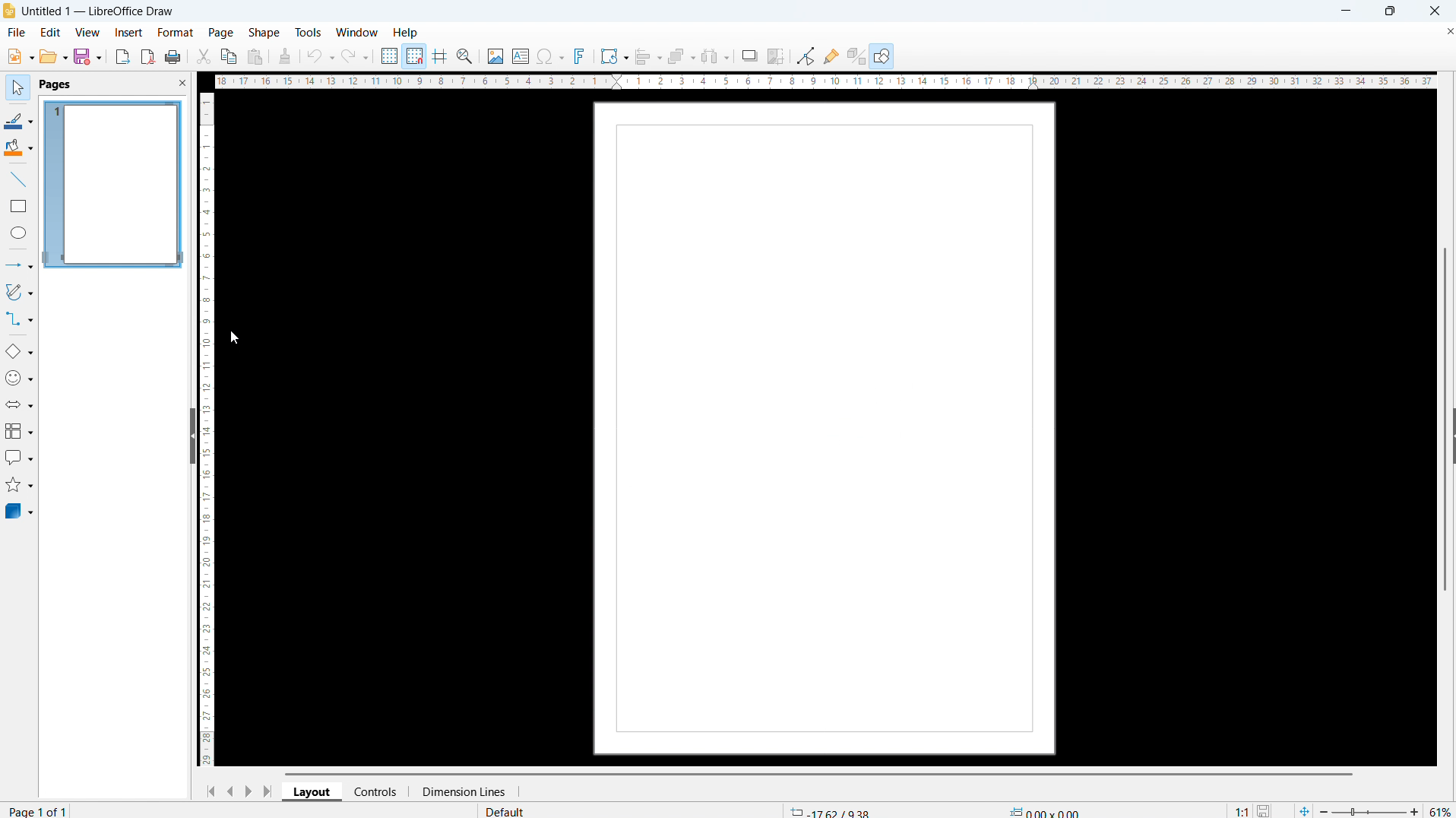  What do you see at coordinates (307, 32) in the screenshot?
I see `tools` at bounding box center [307, 32].